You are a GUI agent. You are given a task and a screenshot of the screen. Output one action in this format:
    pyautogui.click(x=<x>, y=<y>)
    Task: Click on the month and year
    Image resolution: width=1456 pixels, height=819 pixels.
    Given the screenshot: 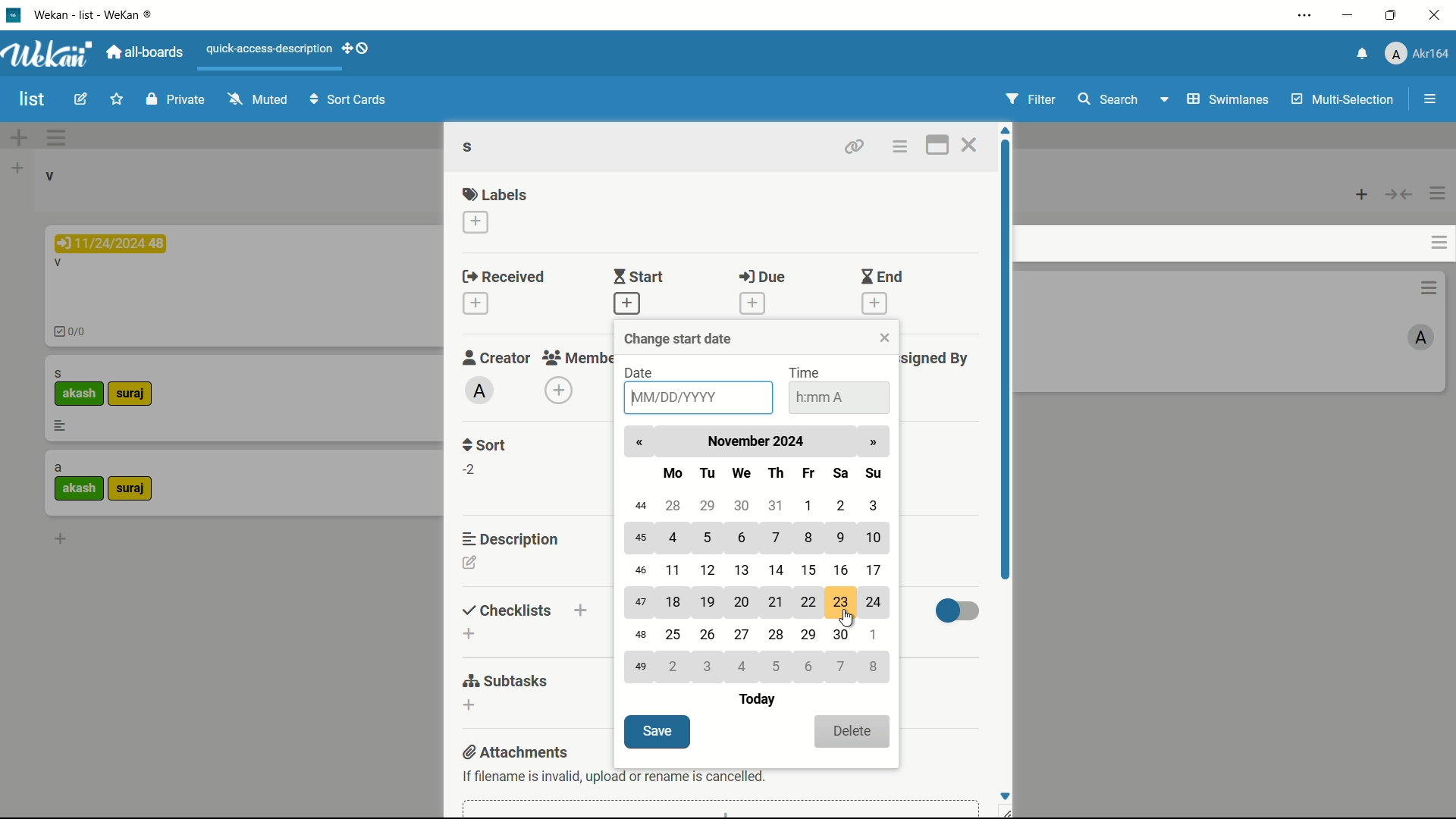 What is the action you would take?
    pyautogui.click(x=756, y=441)
    